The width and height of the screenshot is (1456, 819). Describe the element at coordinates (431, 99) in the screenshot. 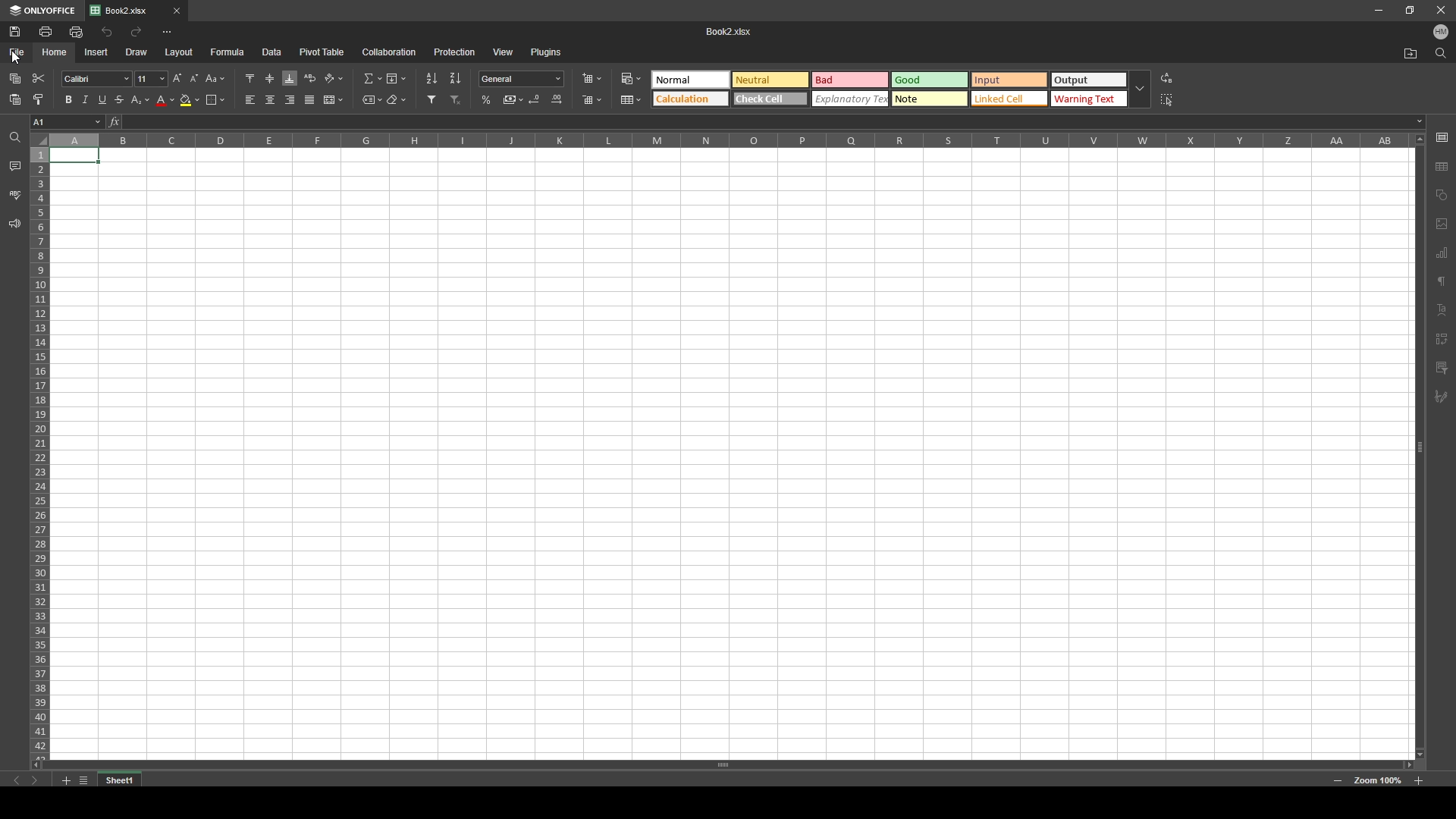

I see `filter` at that location.